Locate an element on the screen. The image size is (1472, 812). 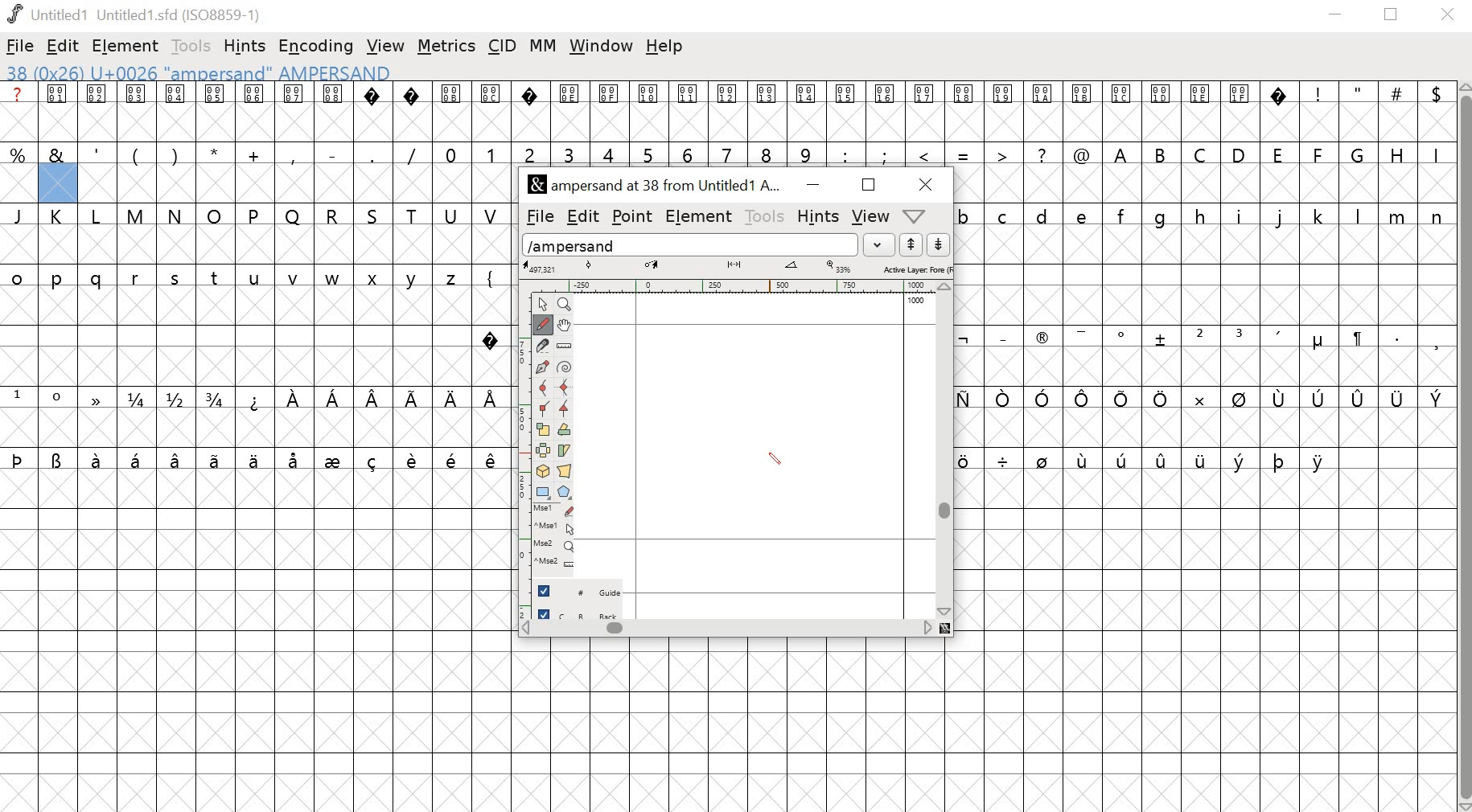
Mse2 is located at coordinates (556, 545).